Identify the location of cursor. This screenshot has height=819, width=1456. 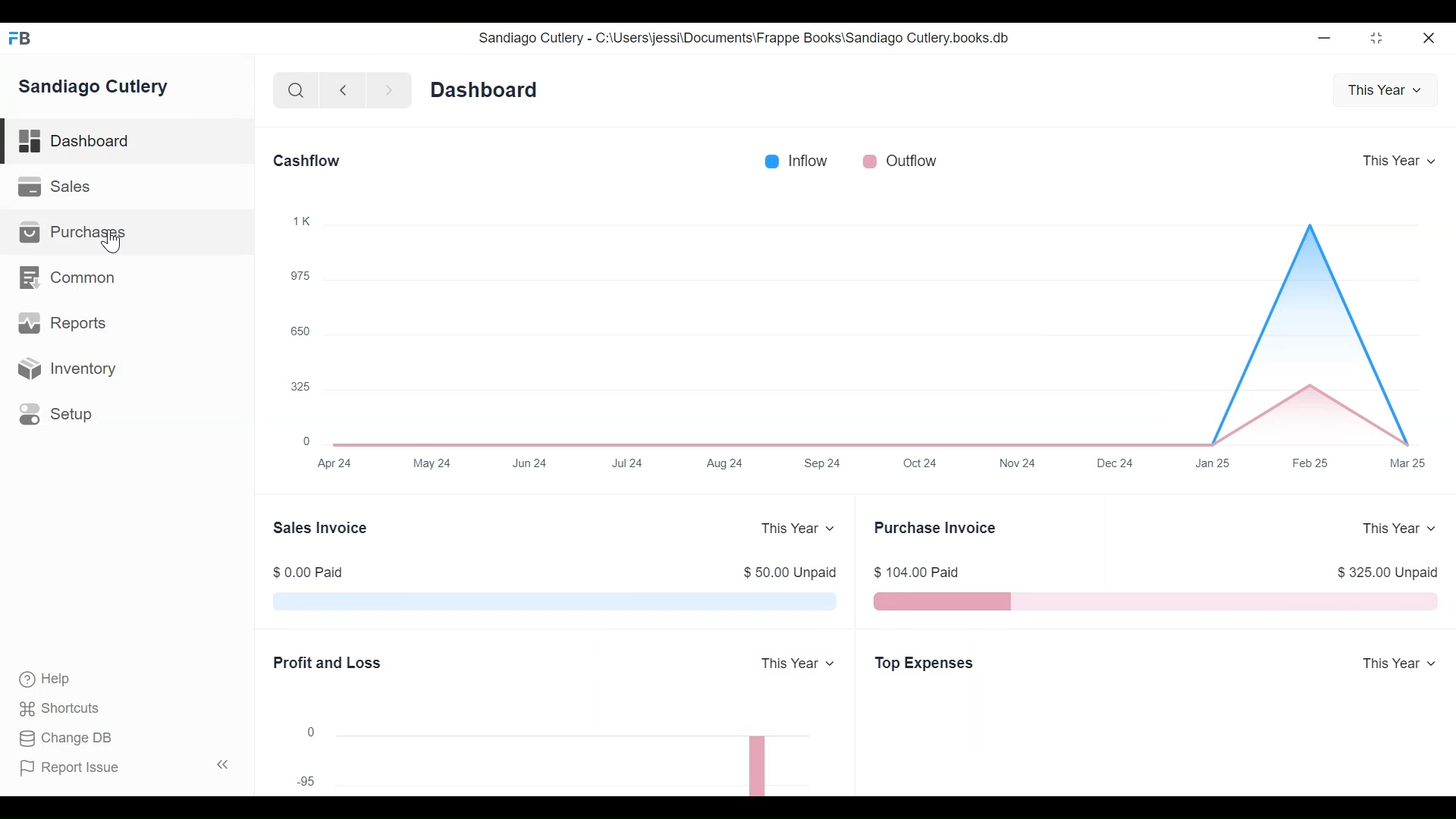
(109, 240).